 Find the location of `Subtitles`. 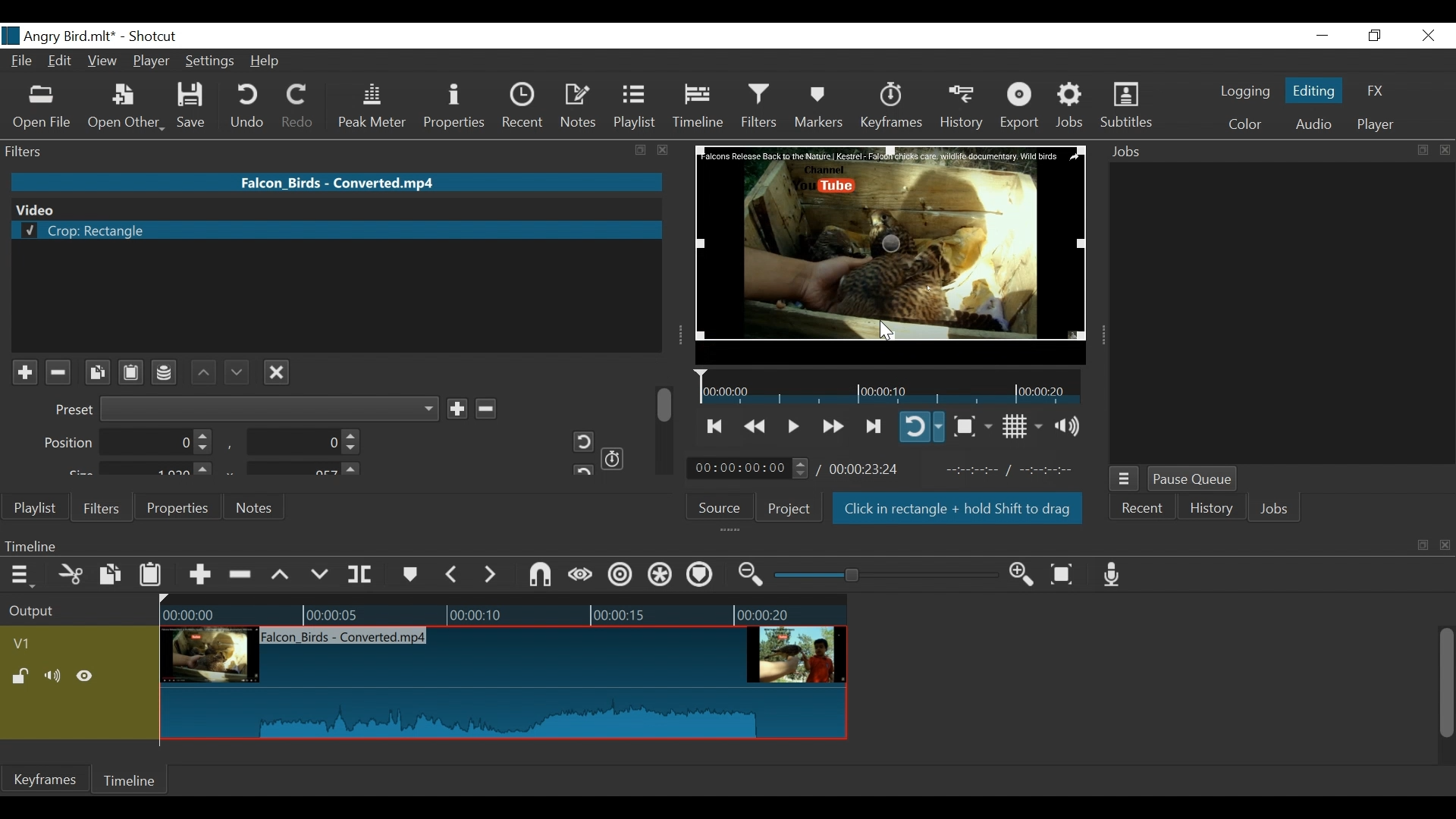

Subtitles is located at coordinates (1126, 105).